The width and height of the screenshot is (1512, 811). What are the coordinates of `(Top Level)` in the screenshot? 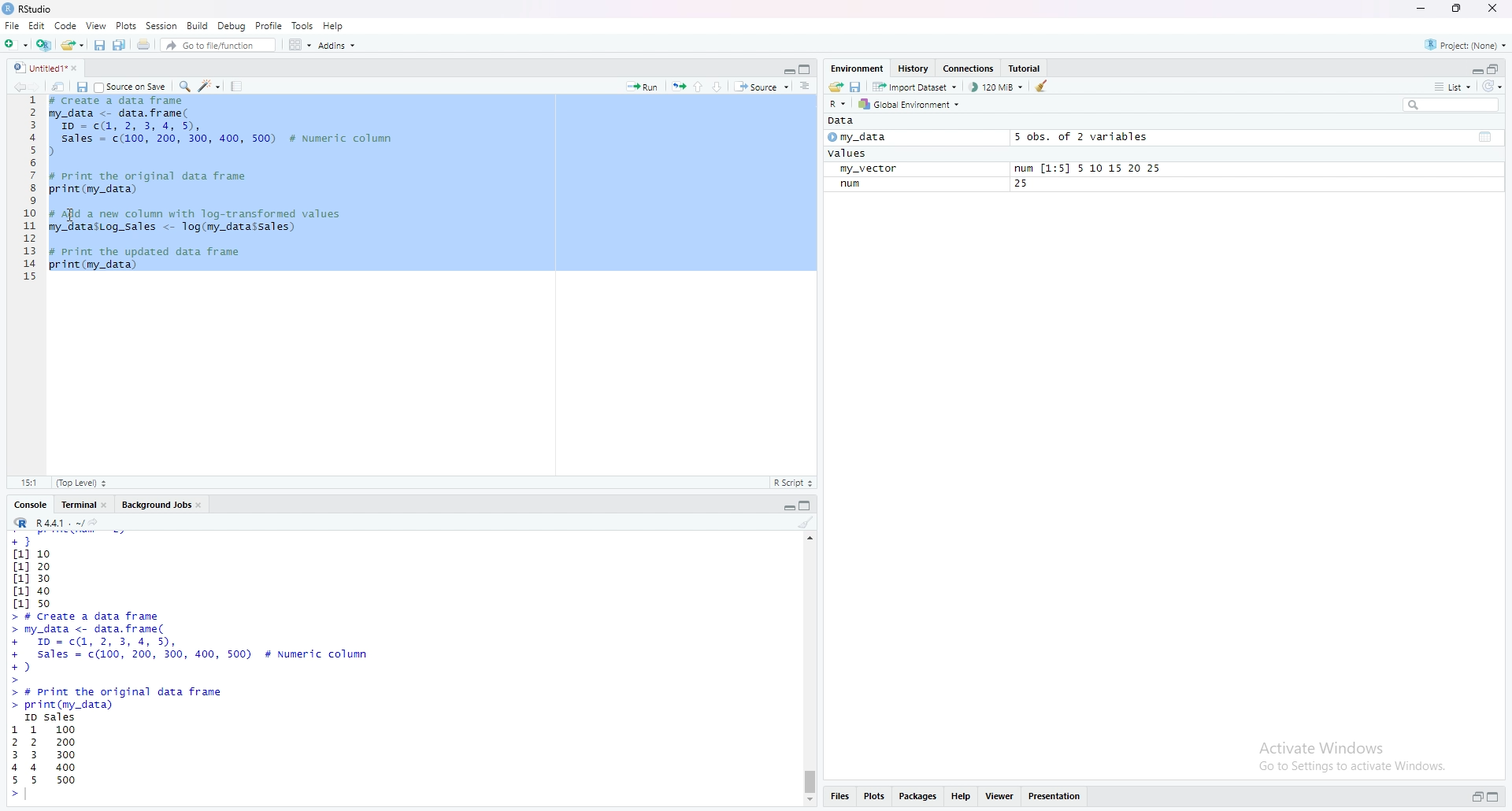 It's located at (83, 483).